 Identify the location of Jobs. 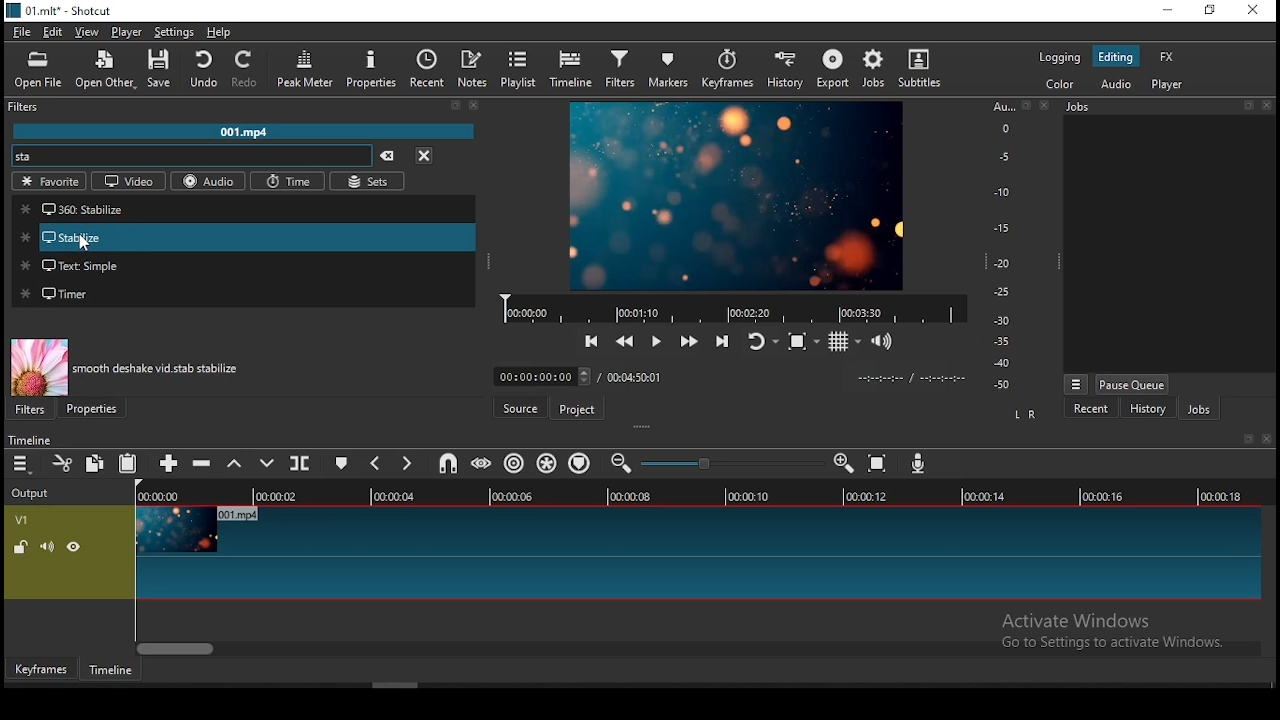
(1084, 107).